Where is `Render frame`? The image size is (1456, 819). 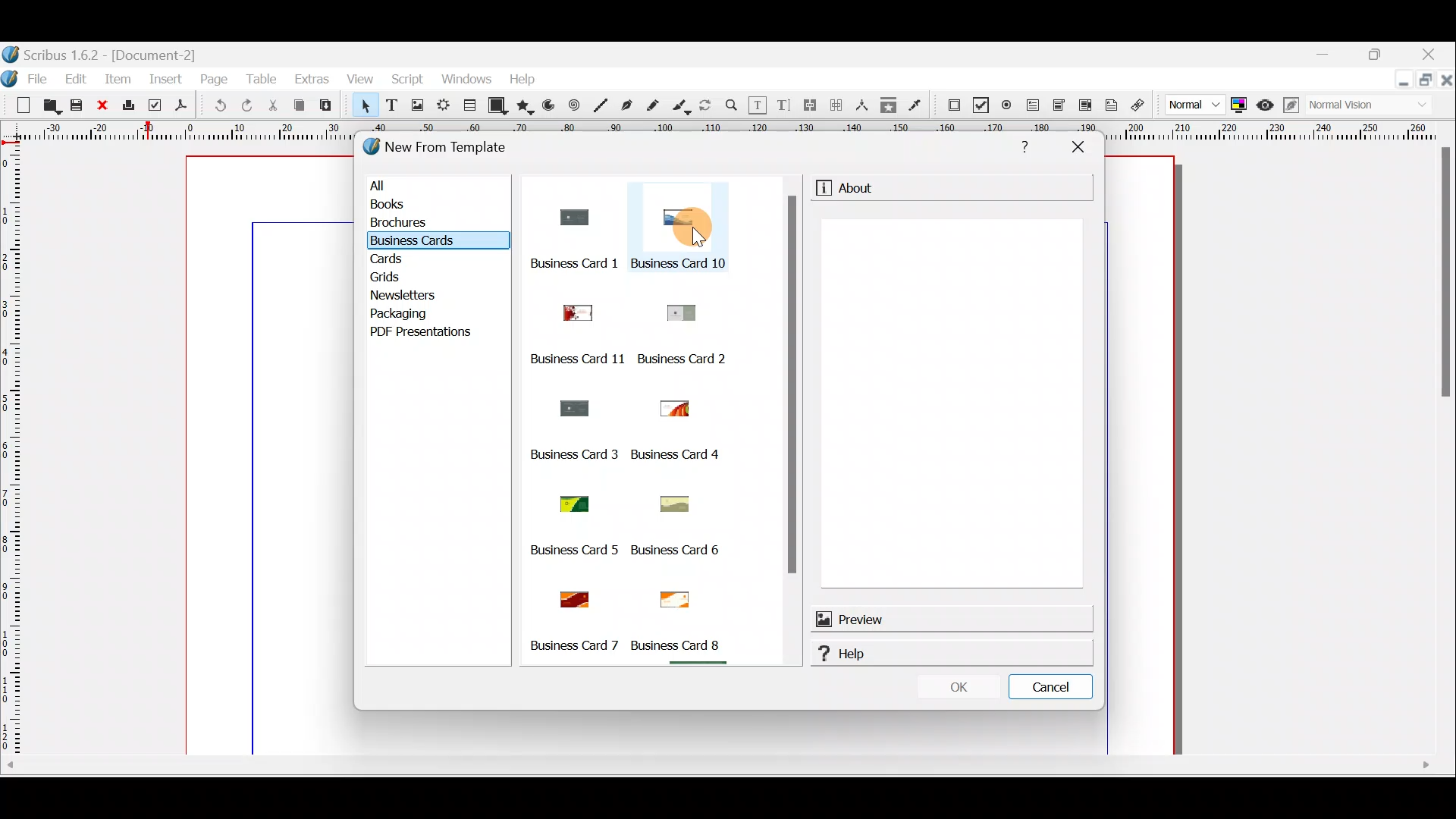 Render frame is located at coordinates (443, 108).